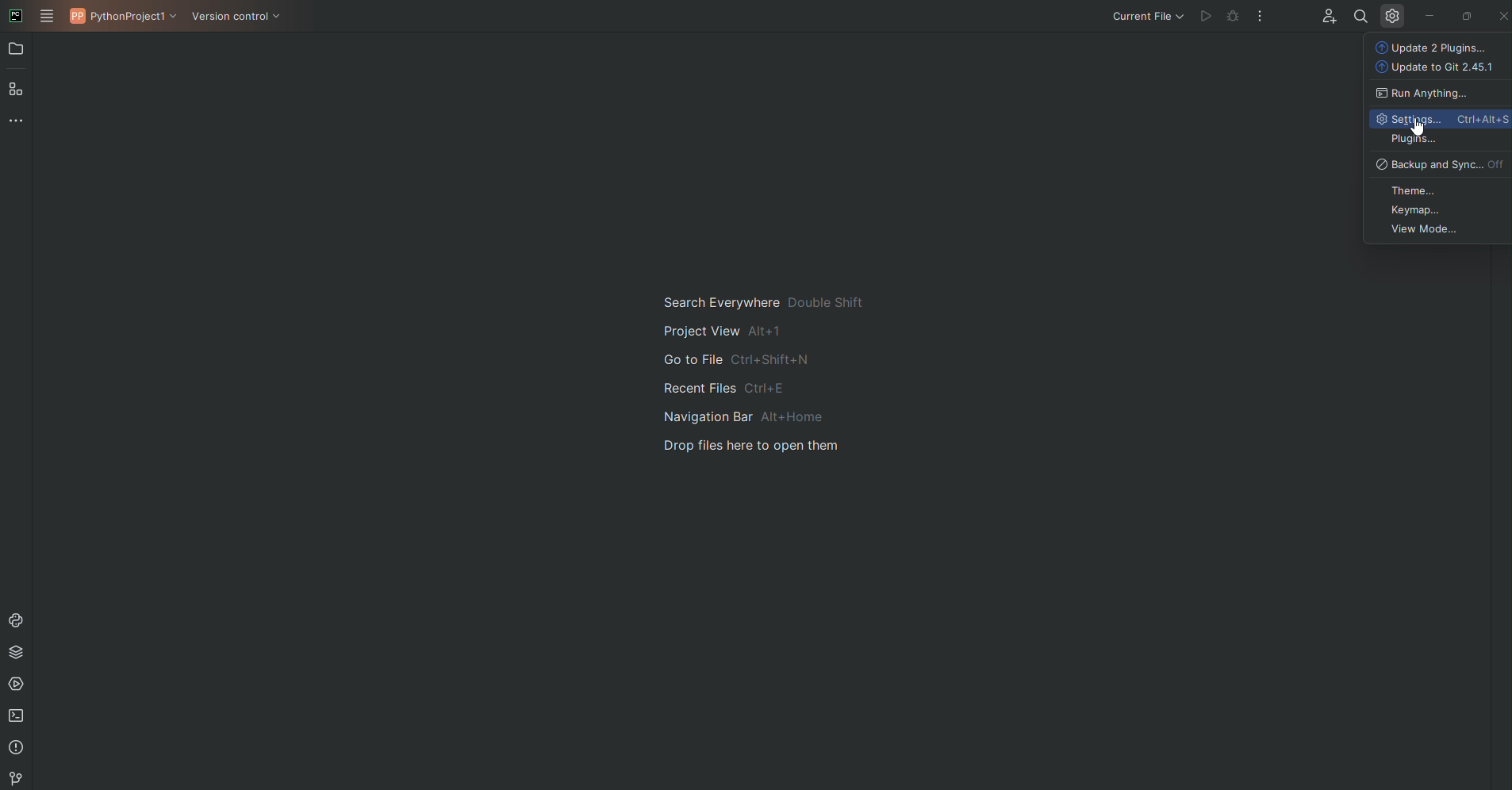  Describe the element at coordinates (735, 359) in the screenshot. I see `go to file` at that location.